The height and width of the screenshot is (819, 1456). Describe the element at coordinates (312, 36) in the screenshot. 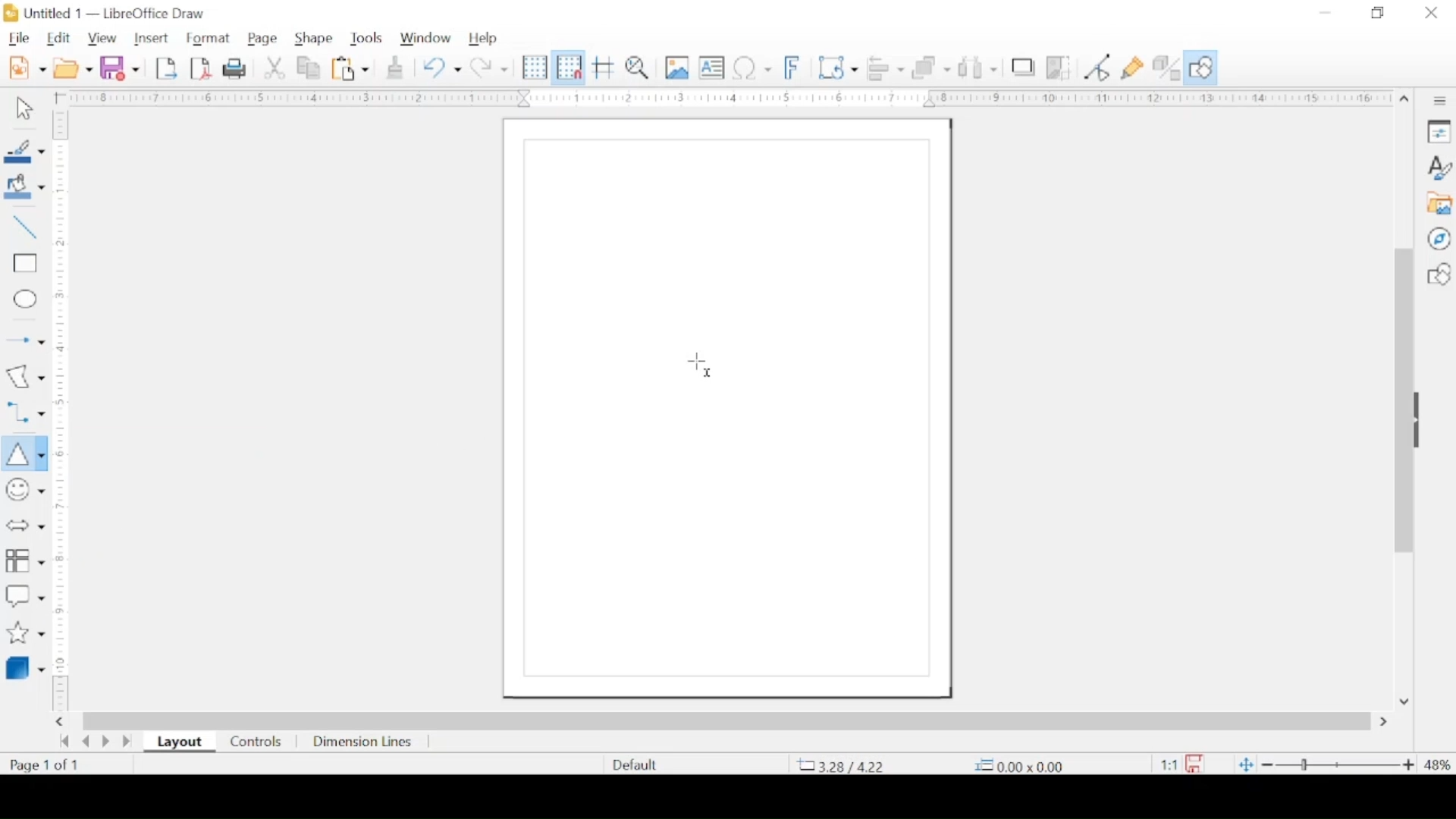

I see `shape` at that location.